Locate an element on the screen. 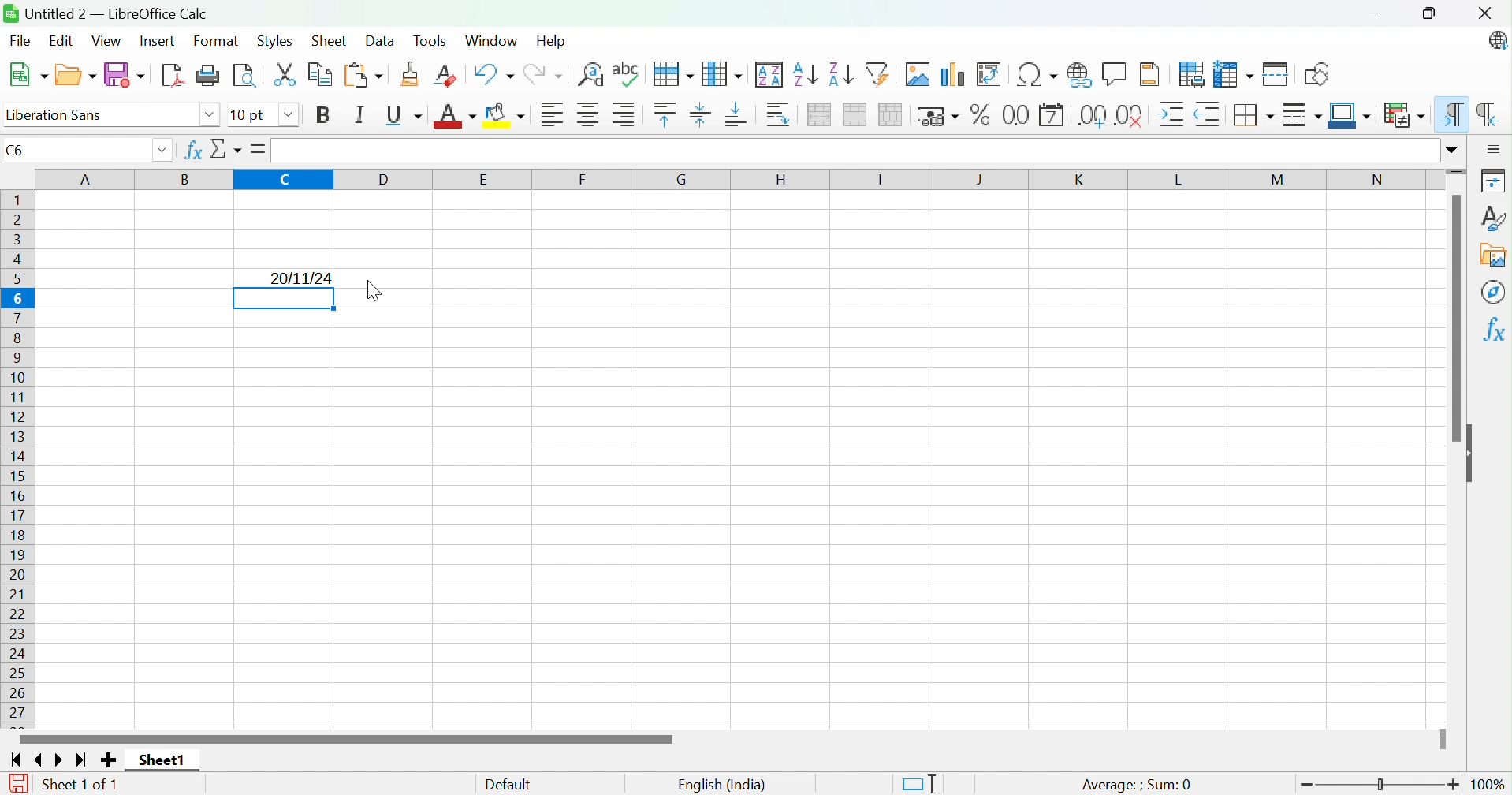 The image size is (1512, 795). Slider is located at coordinates (1381, 786).